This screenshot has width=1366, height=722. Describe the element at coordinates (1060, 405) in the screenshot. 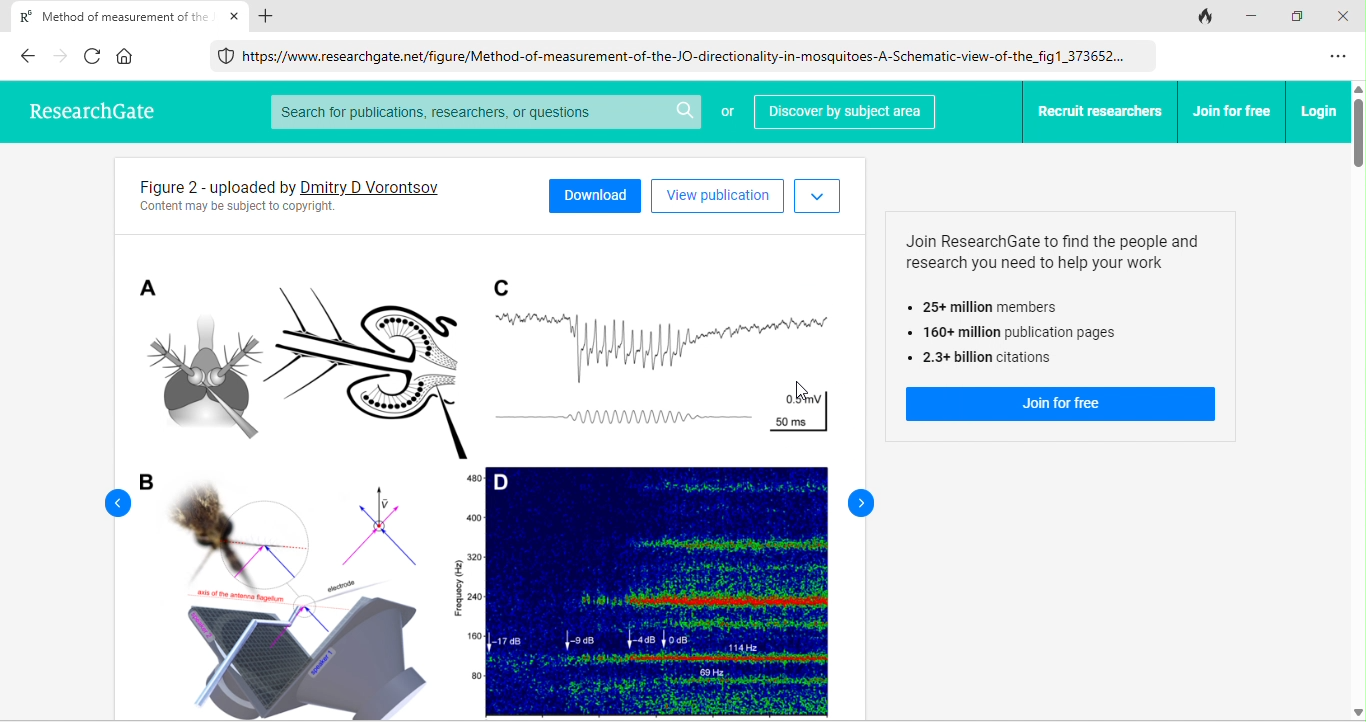

I see `join for free` at that location.